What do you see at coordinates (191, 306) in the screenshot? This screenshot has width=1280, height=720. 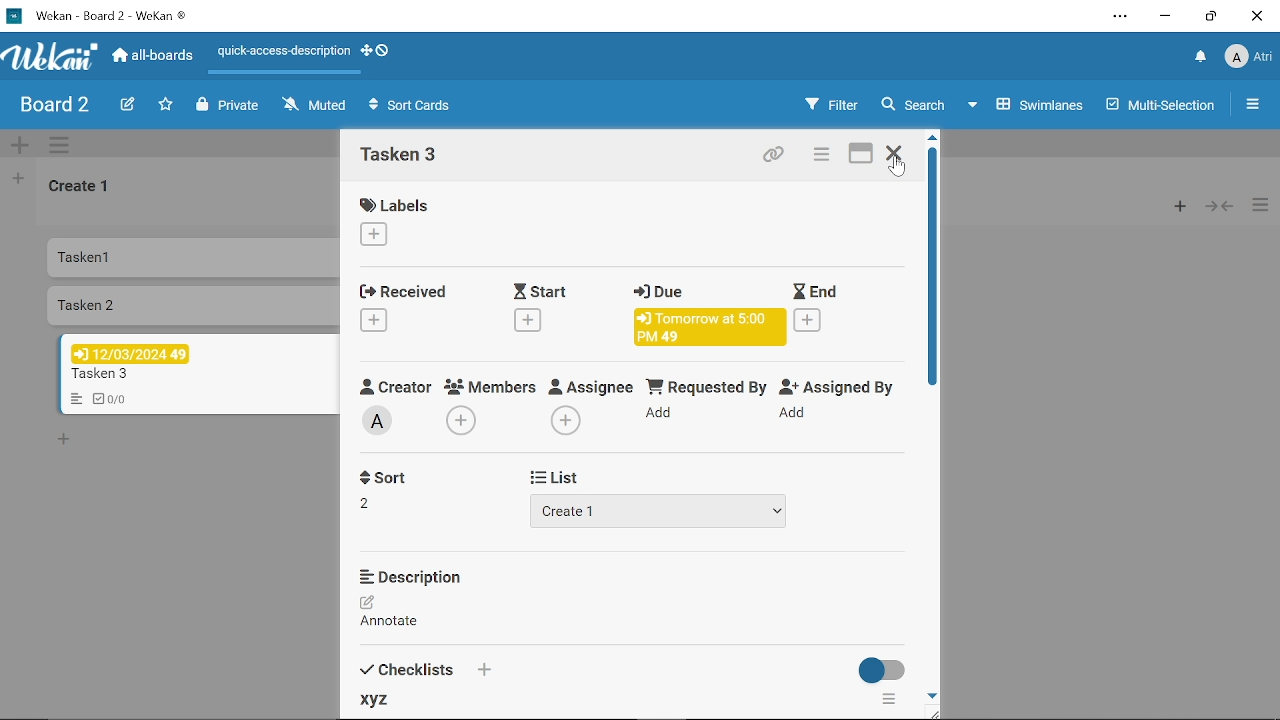 I see `Tasken2` at bounding box center [191, 306].